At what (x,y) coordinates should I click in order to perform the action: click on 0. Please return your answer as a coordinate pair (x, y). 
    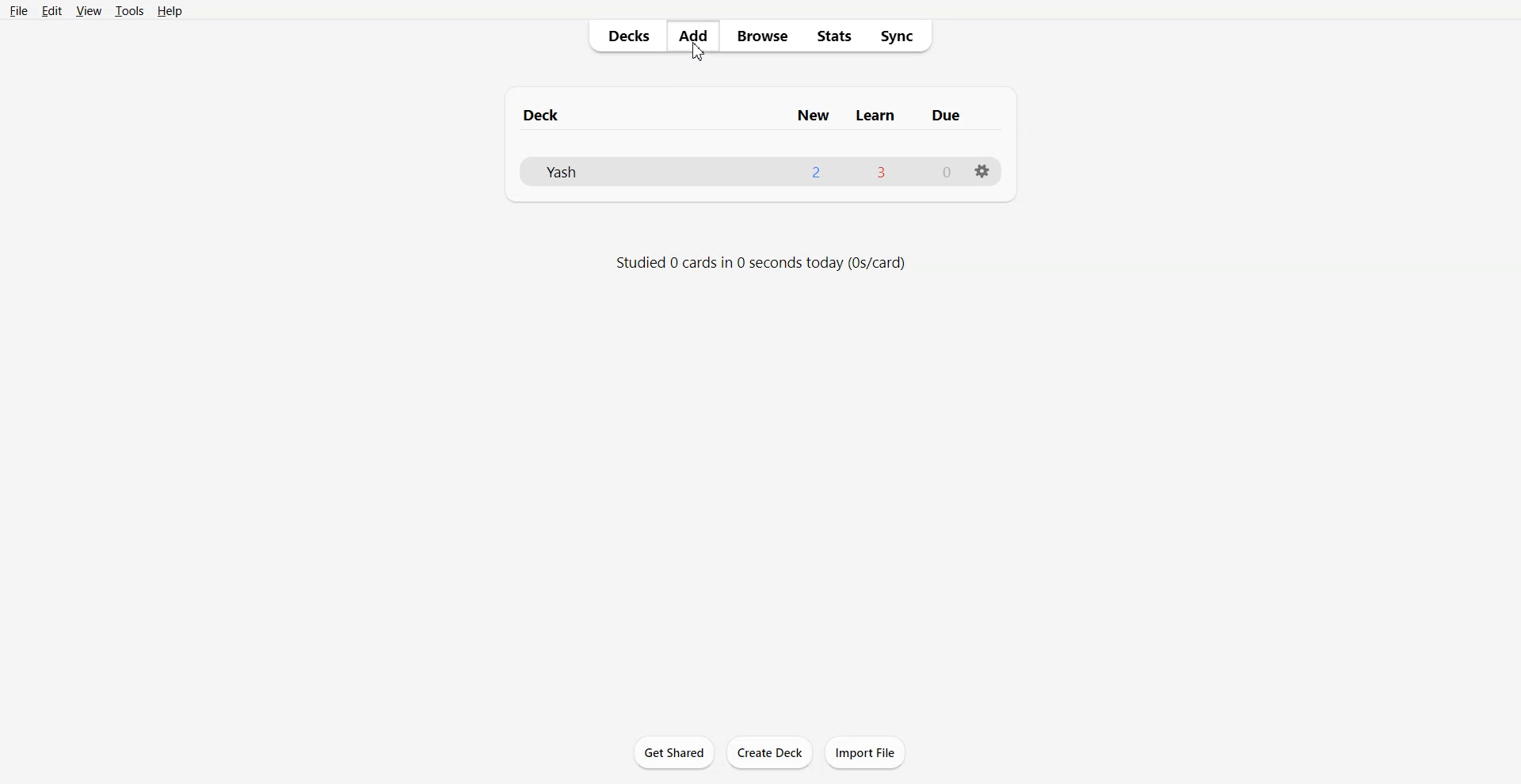
    Looking at the image, I should click on (947, 173).